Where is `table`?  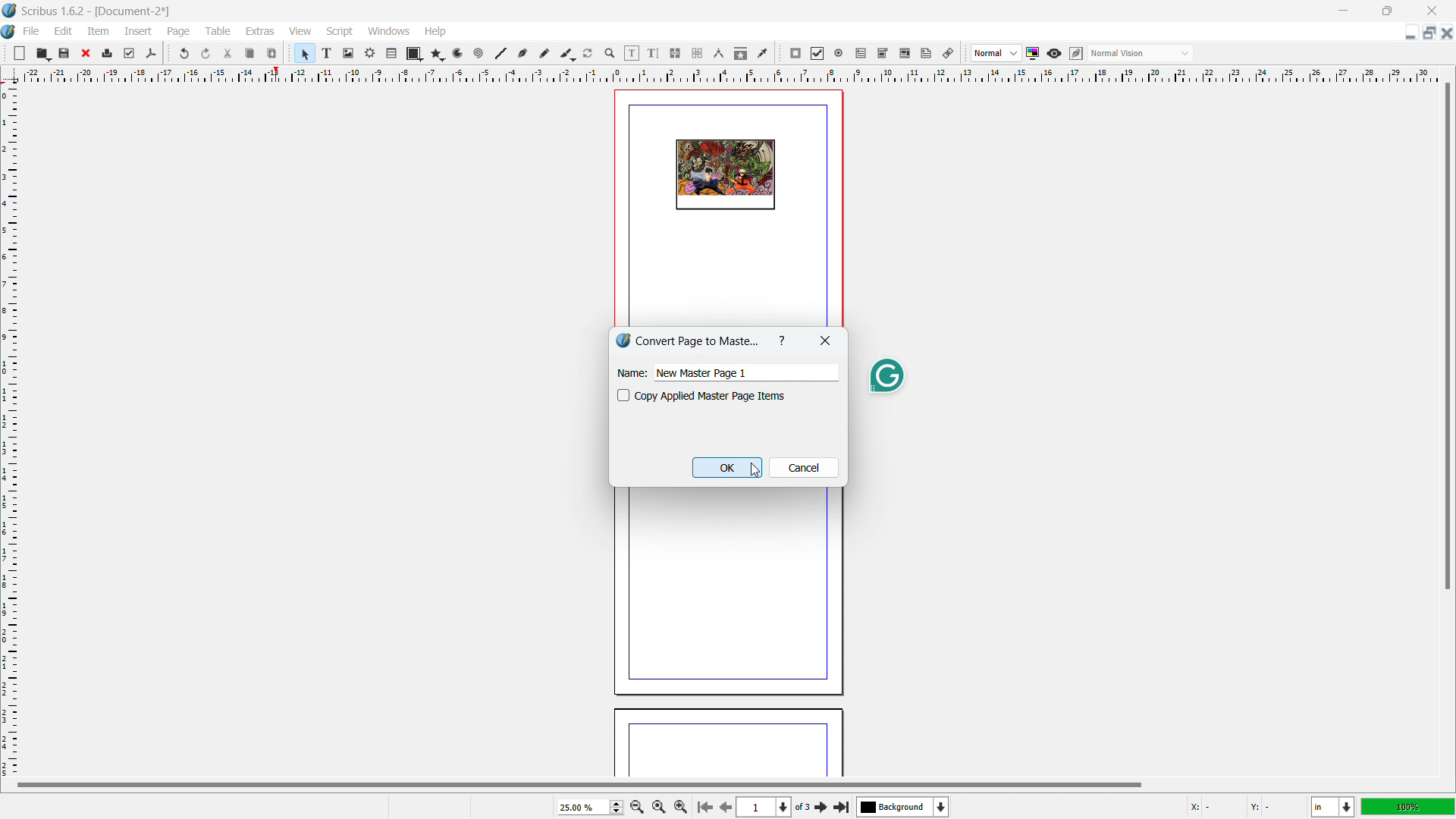
table is located at coordinates (392, 54).